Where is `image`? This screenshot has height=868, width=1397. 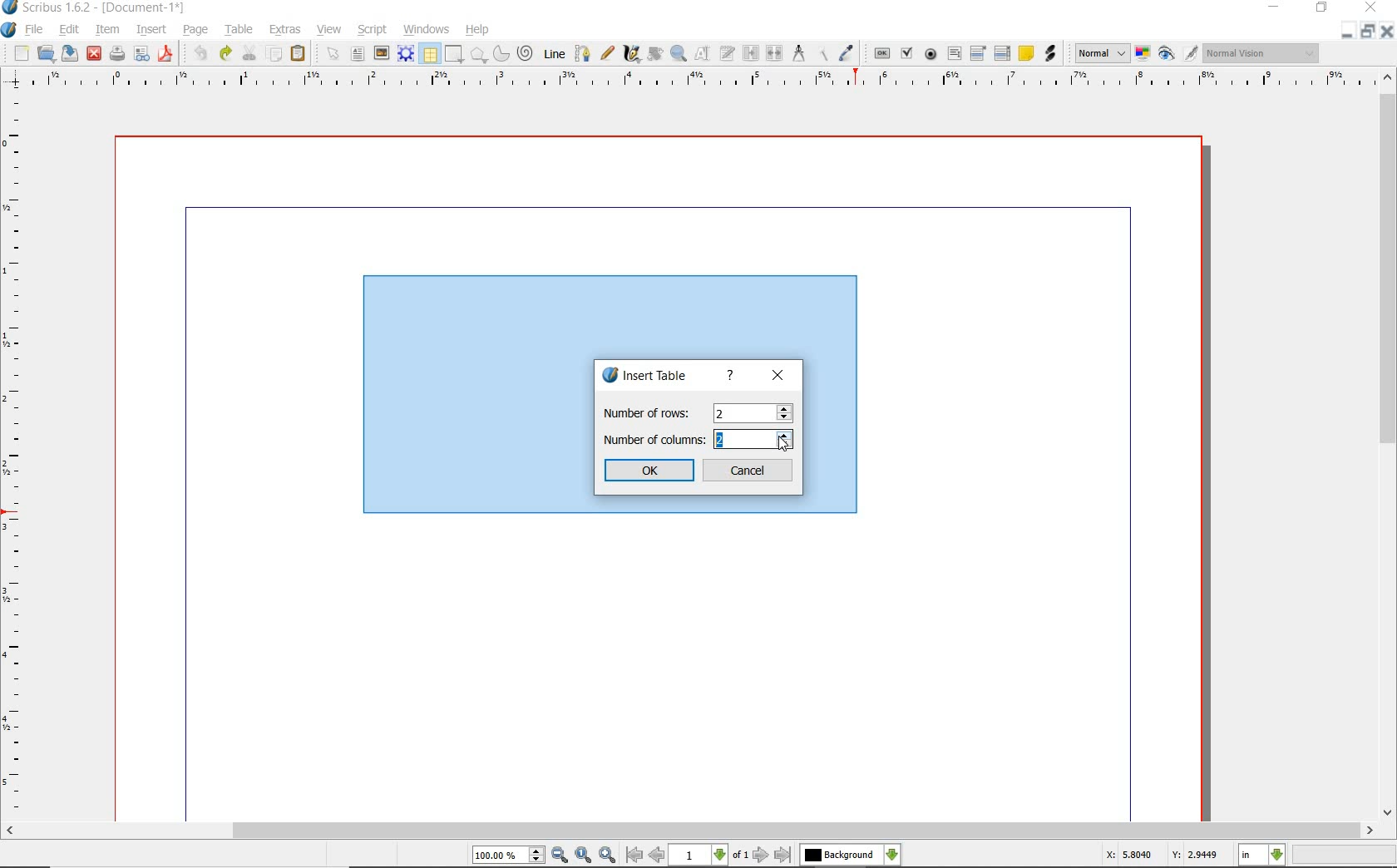
image is located at coordinates (382, 54).